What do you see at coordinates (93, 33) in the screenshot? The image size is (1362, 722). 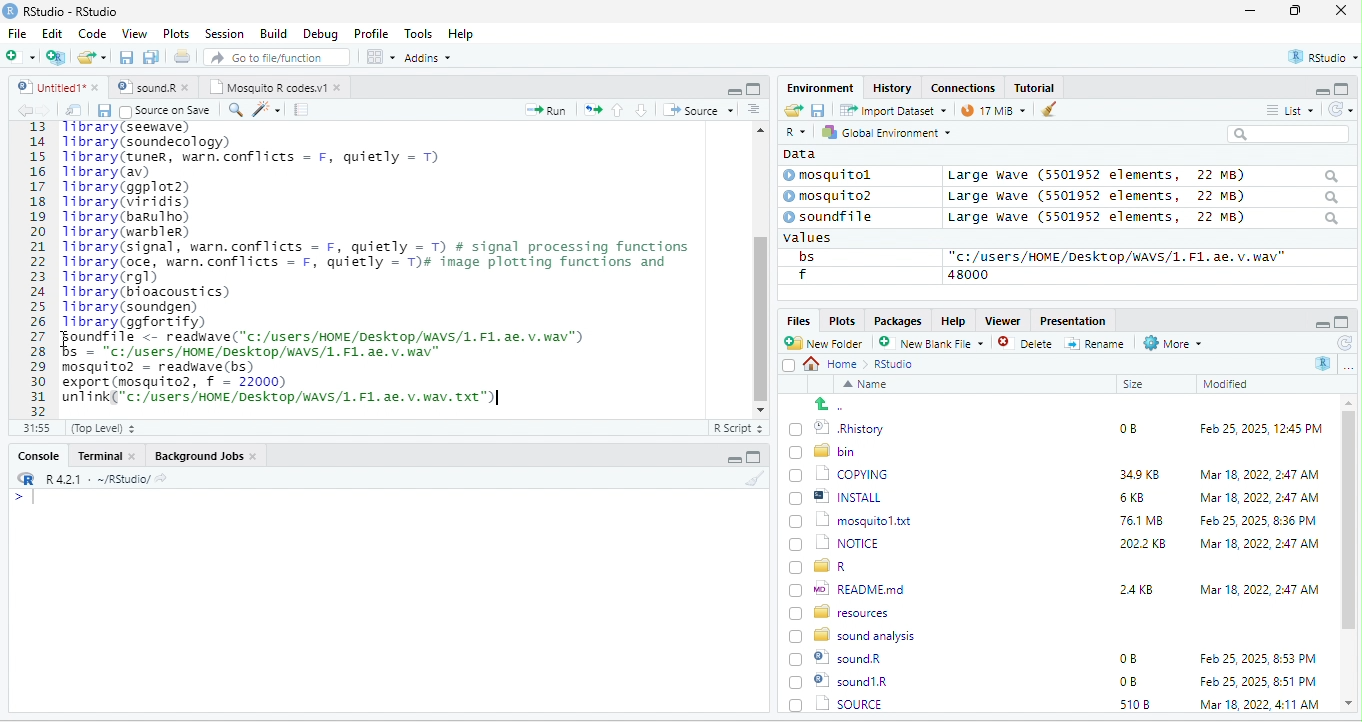 I see `Code` at bounding box center [93, 33].